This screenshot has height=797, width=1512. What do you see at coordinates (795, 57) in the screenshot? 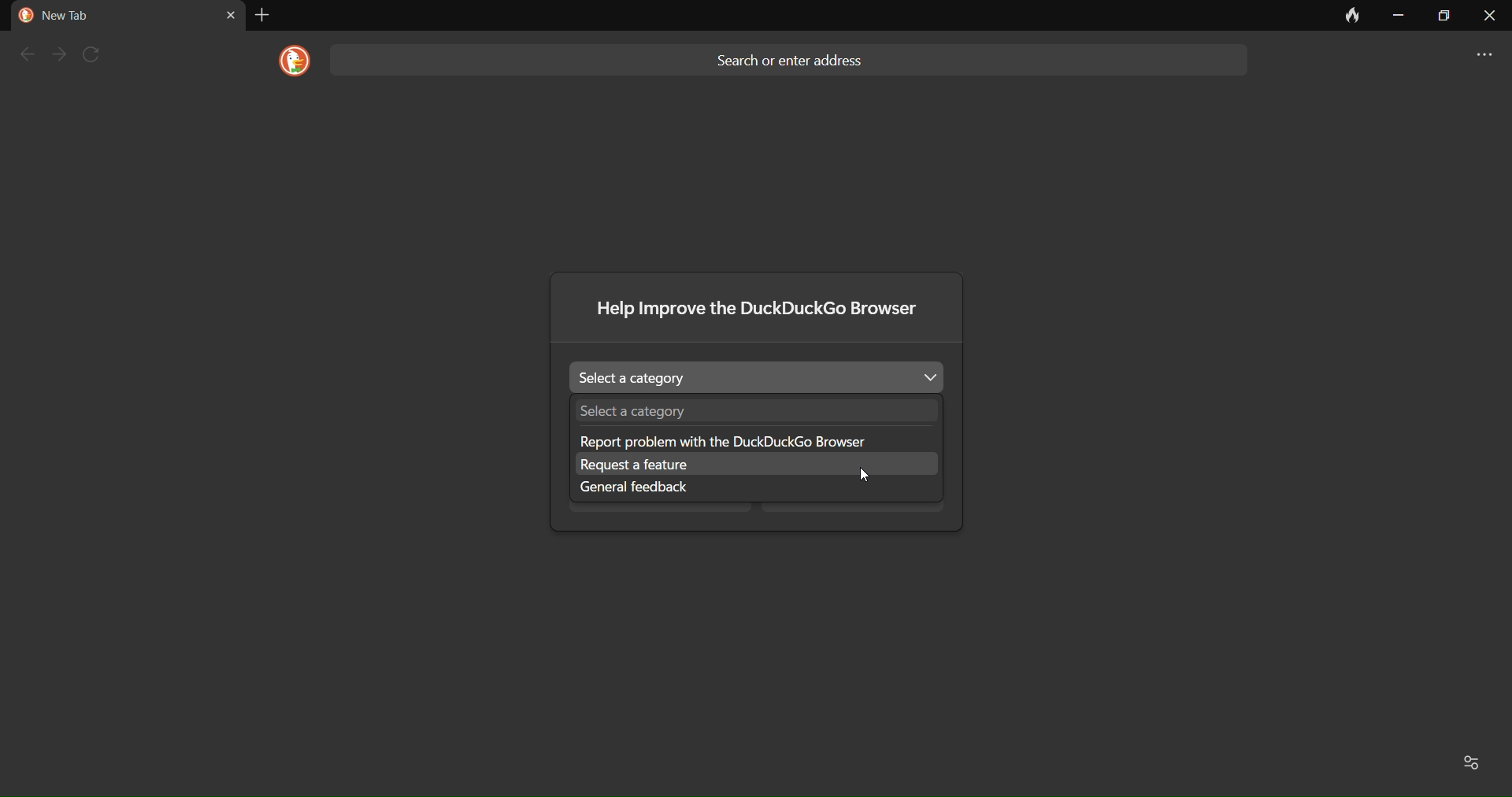
I see `Search or enter address` at bounding box center [795, 57].